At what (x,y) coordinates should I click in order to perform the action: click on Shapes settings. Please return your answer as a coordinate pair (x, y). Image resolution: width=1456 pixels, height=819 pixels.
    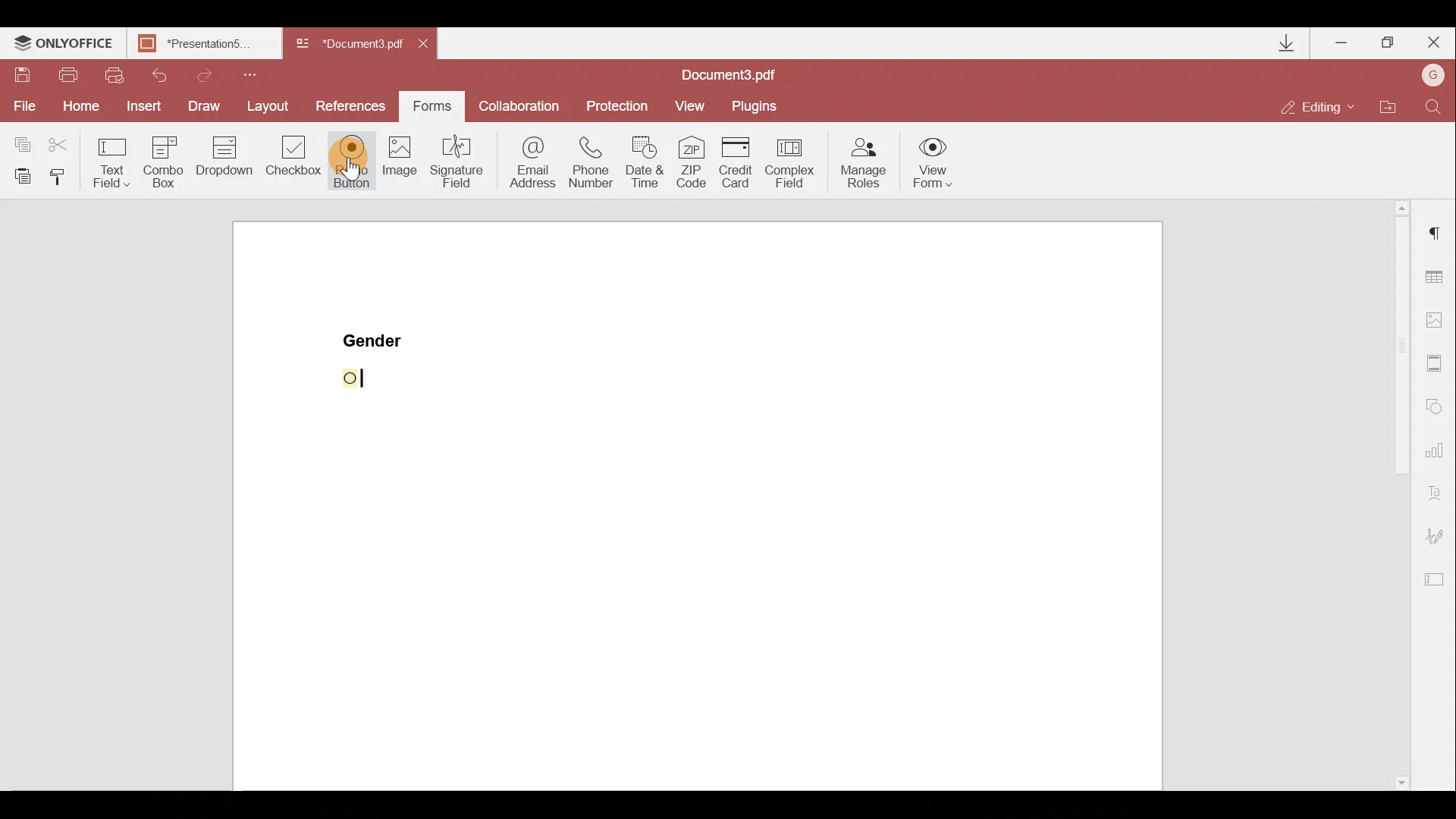
    Looking at the image, I should click on (1438, 408).